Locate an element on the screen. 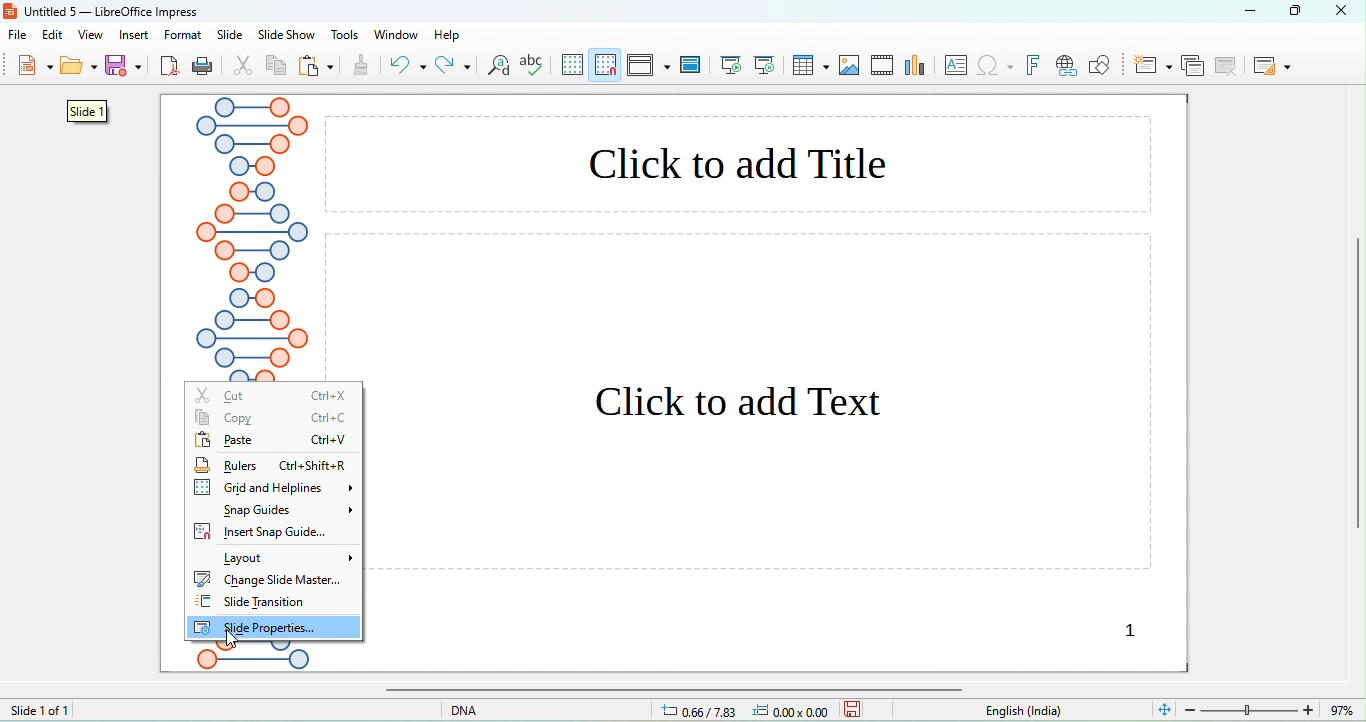 The width and height of the screenshot is (1366, 722). 1 is located at coordinates (1113, 630).